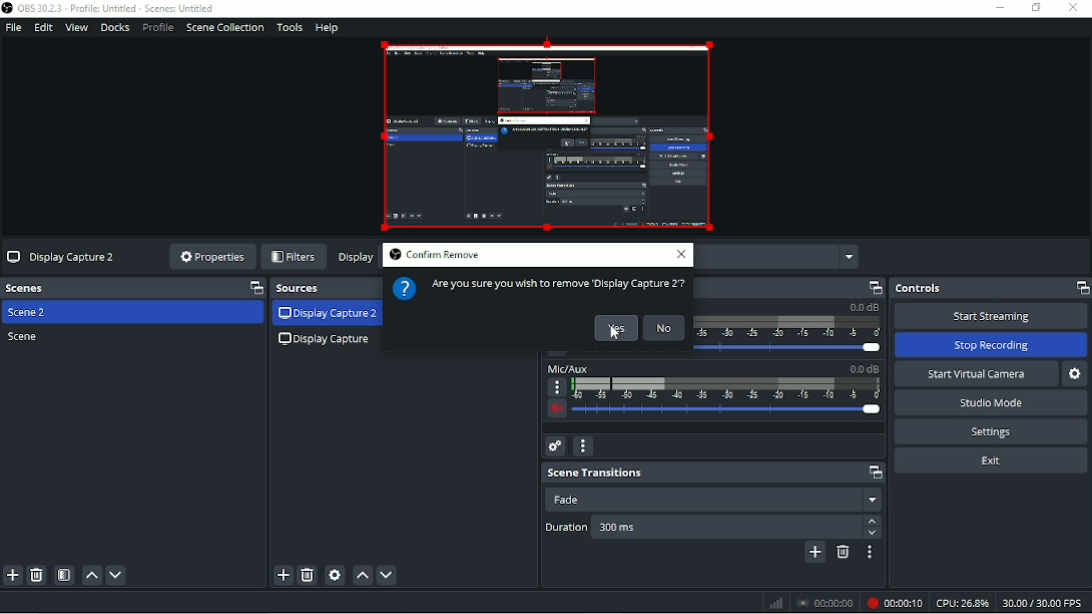 Image resolution: width=1092 pixels, height=614 pixels. I want to click on Help, so click(329, 29).